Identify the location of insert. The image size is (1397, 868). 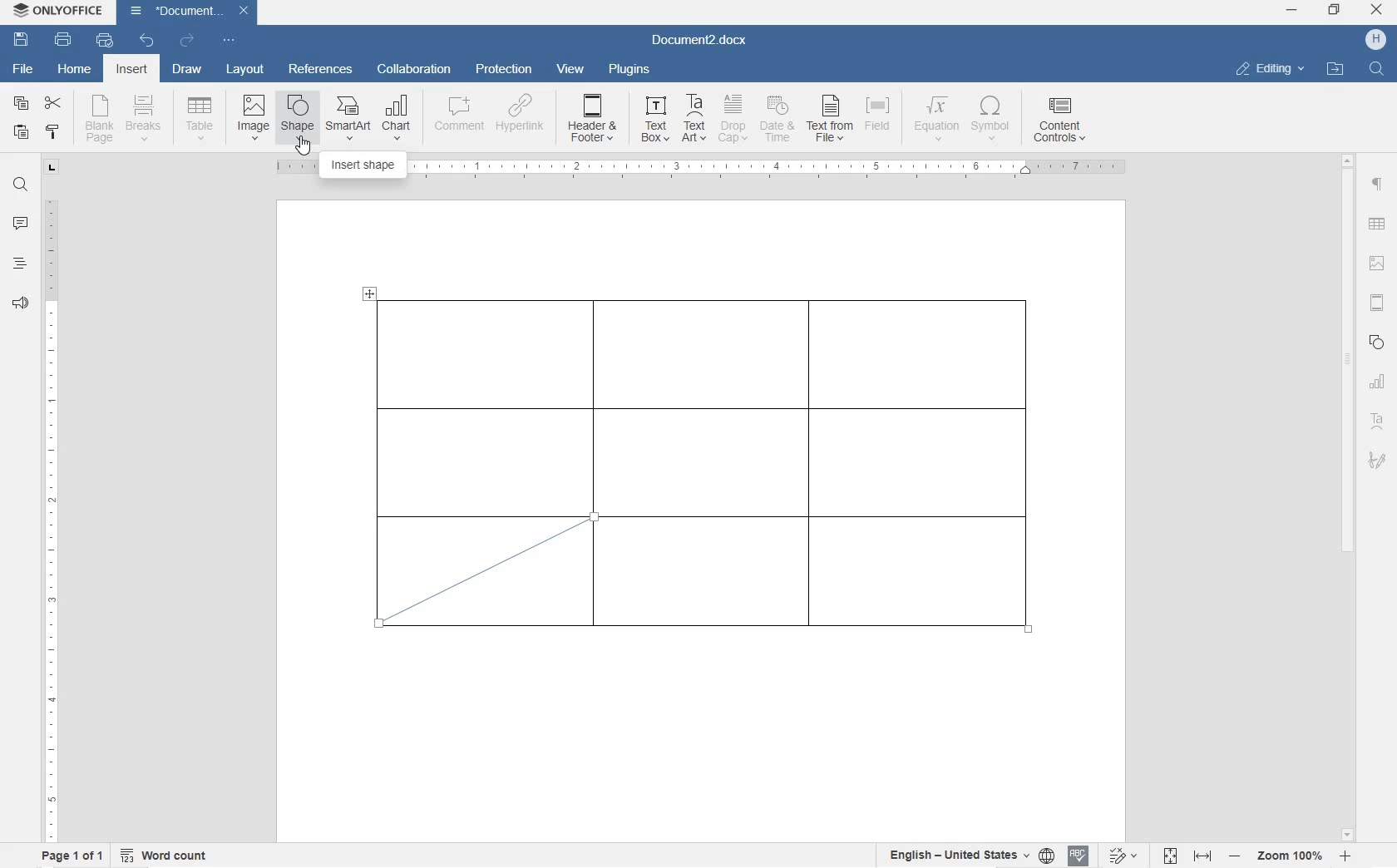
(131, 70).